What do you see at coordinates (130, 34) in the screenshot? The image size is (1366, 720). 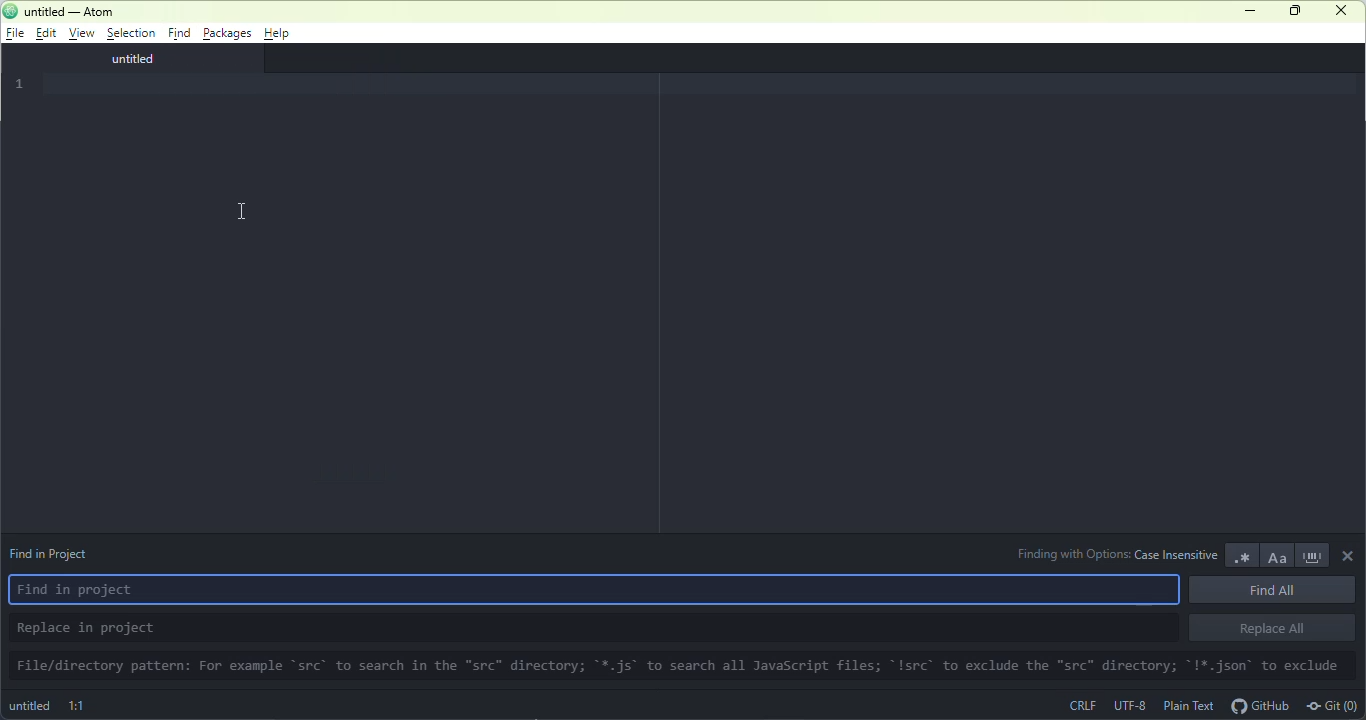 I see `selection` at bounding box center [130, 34].